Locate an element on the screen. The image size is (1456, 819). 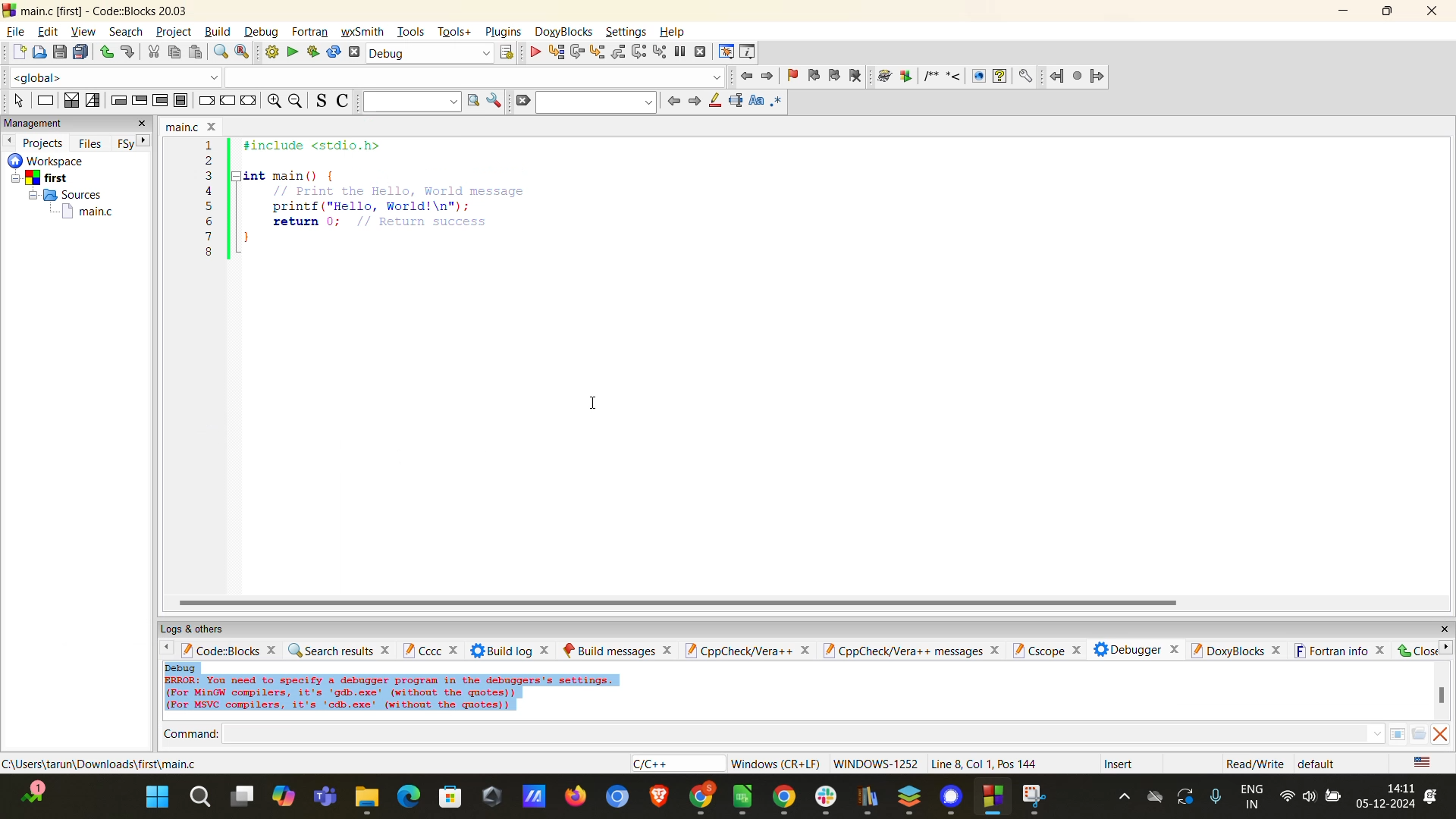
codeblocks is located at coordinates (230, 650).